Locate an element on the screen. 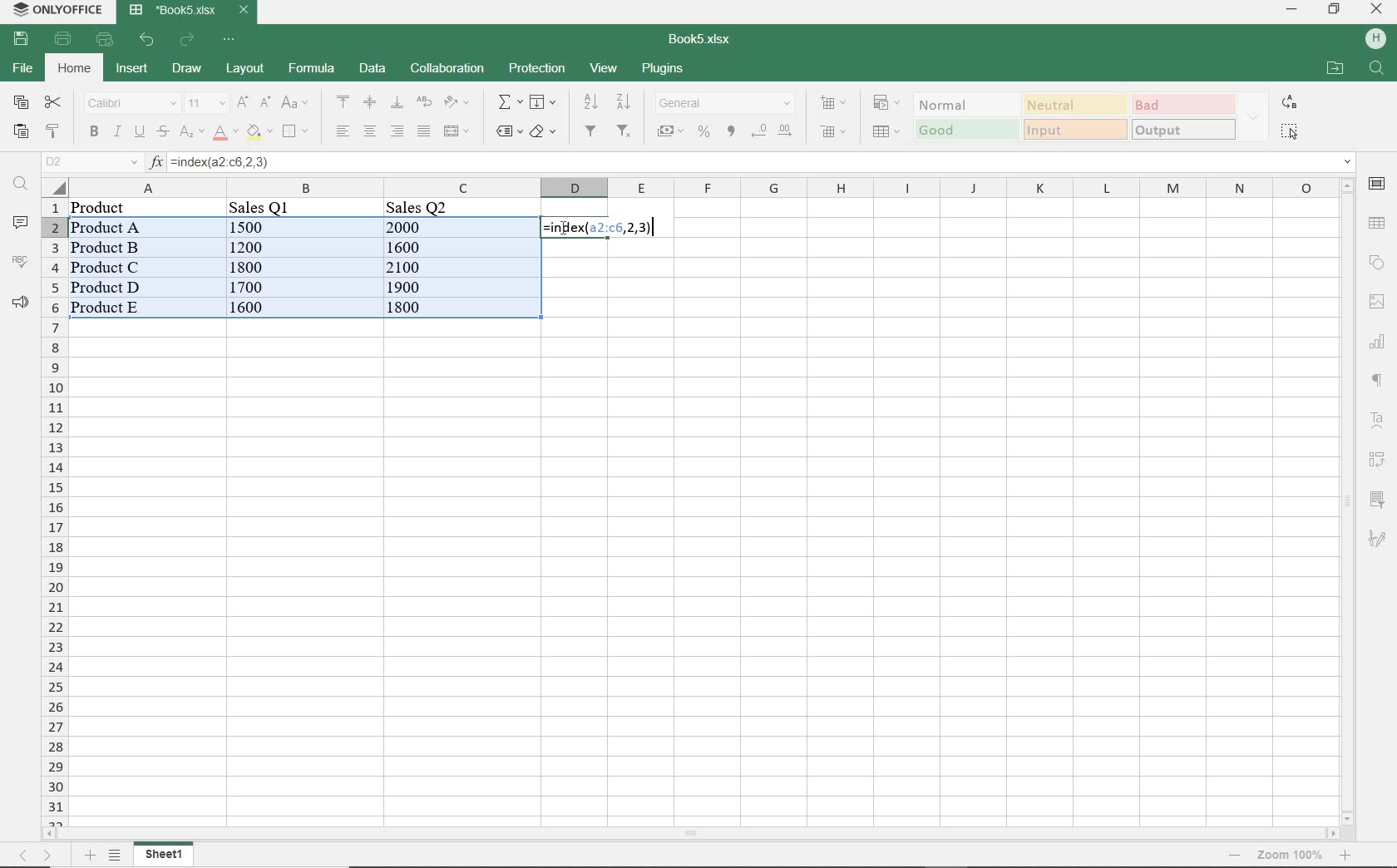  align middle is located at coordinates (370, 104).